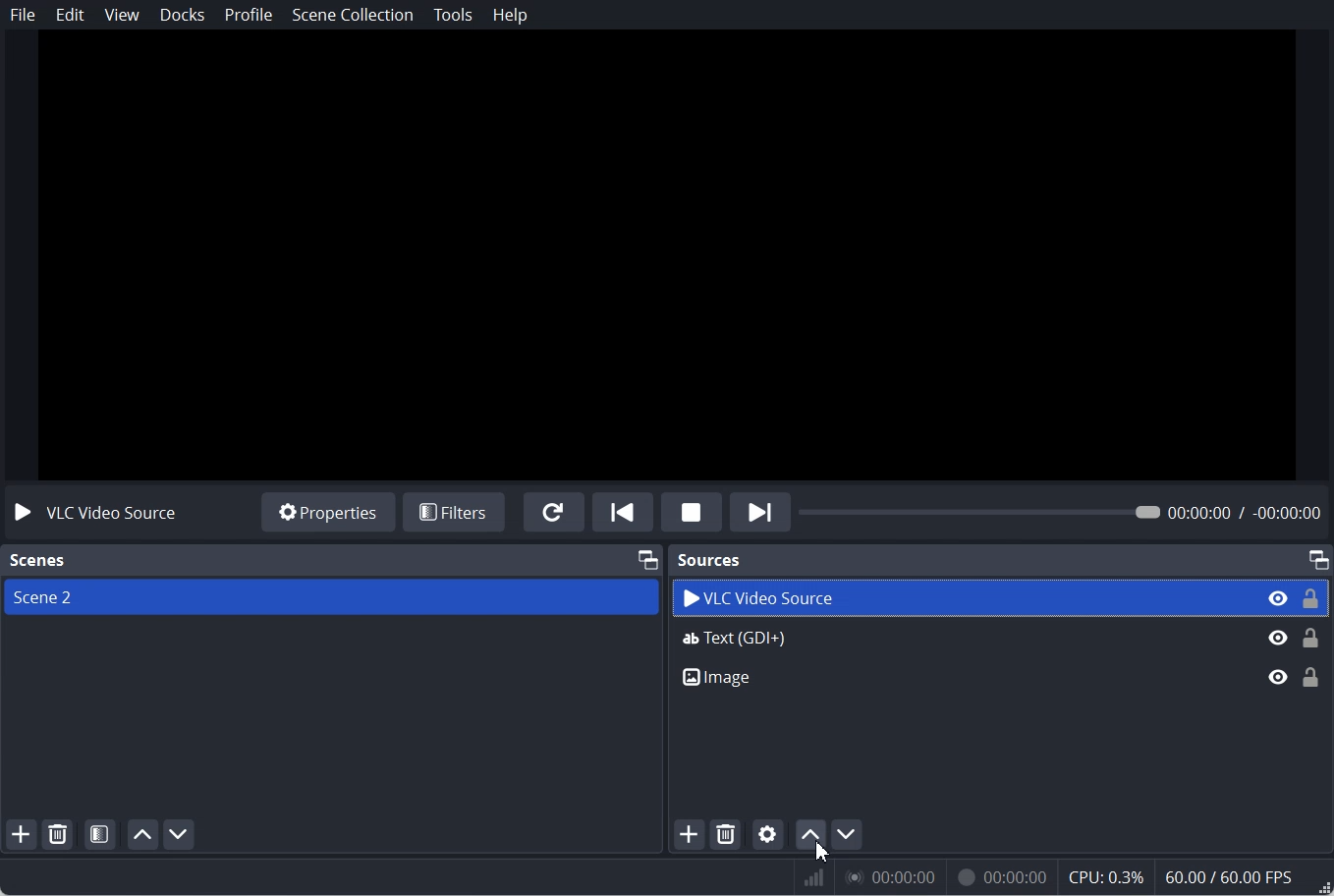 The height and width of the screenshot is (896, 1334). I want to click on Time Adjuster, so click(1066, 511).